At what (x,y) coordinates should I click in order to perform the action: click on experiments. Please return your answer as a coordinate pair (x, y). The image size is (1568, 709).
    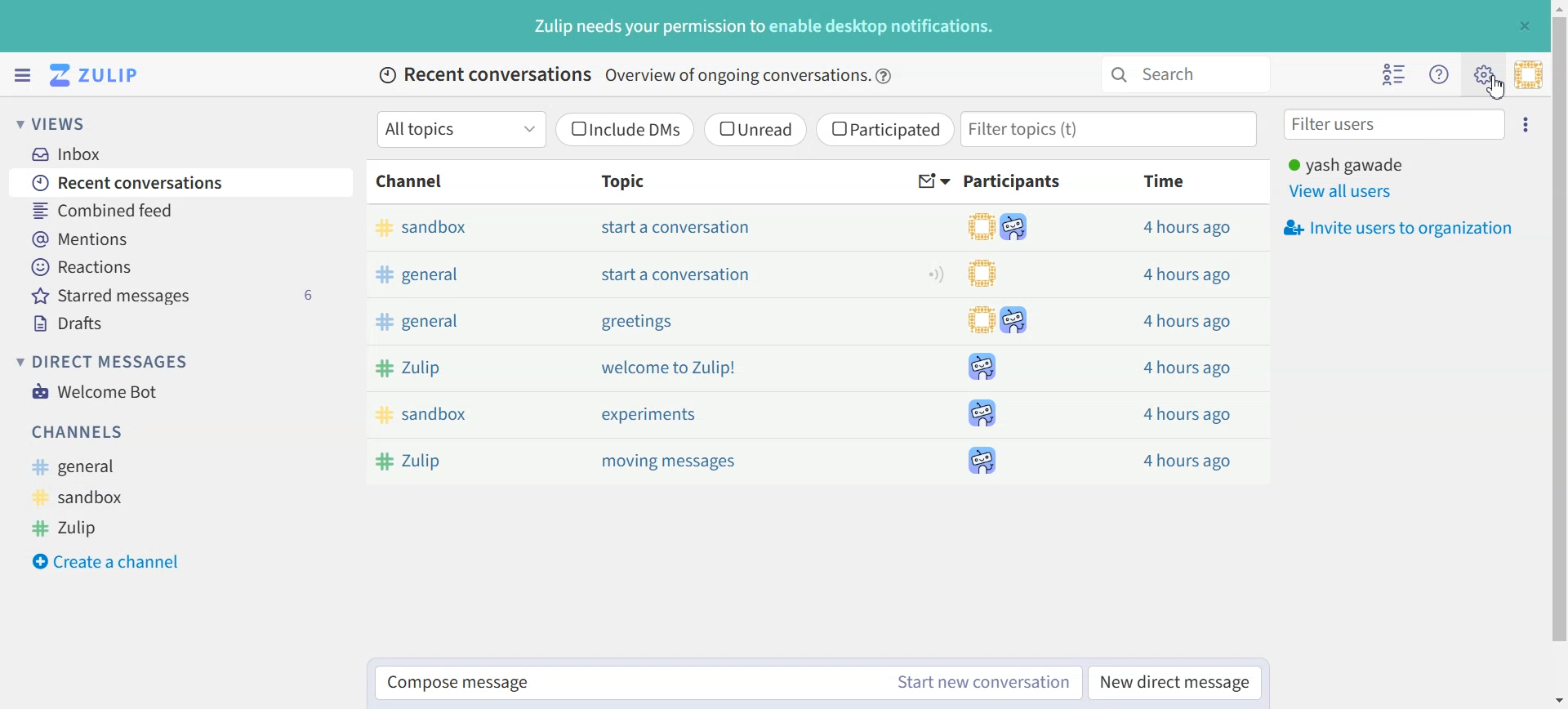
    Looking at the image, I should click on (648, 414).